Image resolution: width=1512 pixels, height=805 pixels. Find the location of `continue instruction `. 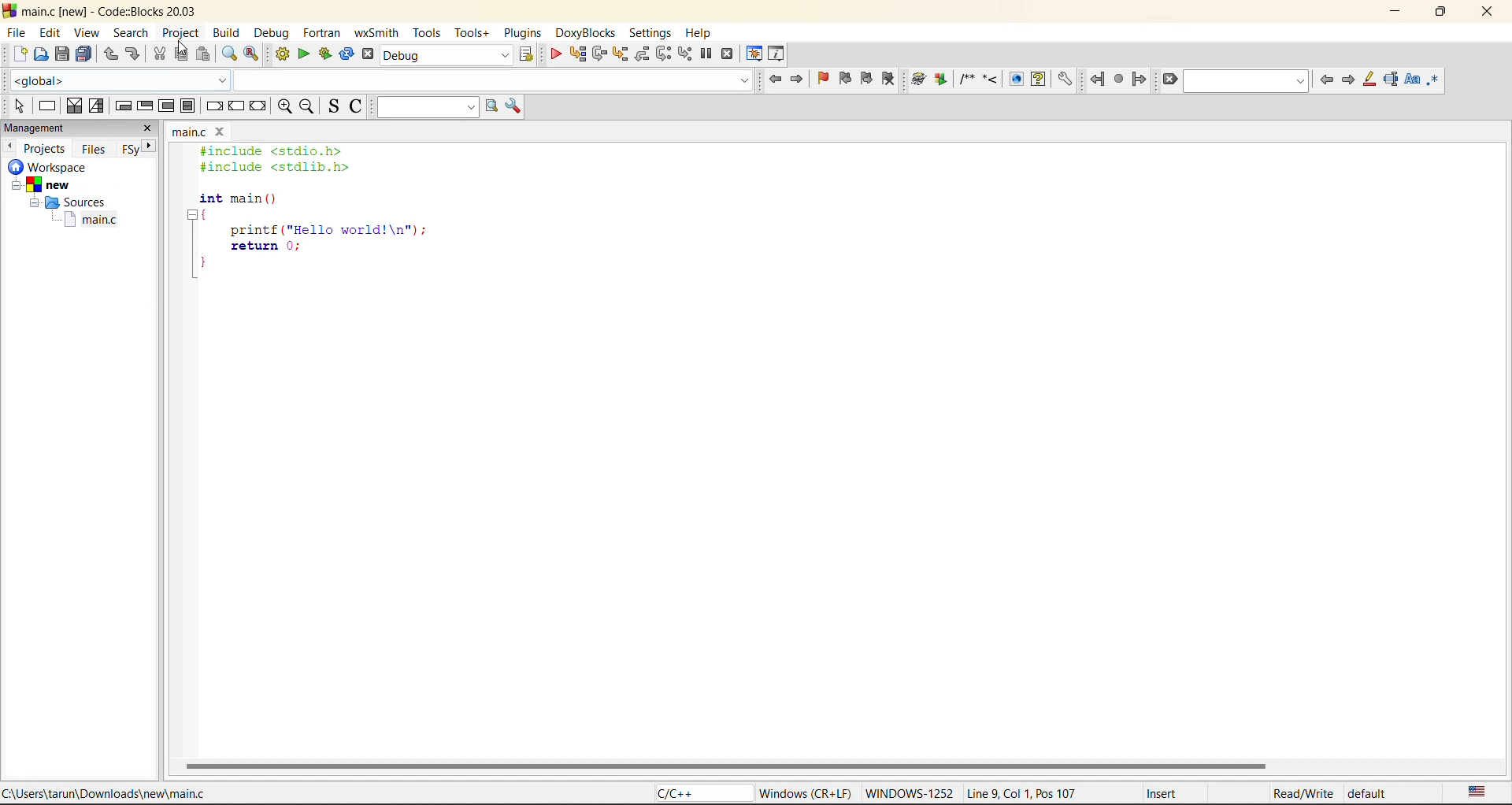

continue instruction  is located at coordinates (236, 107).